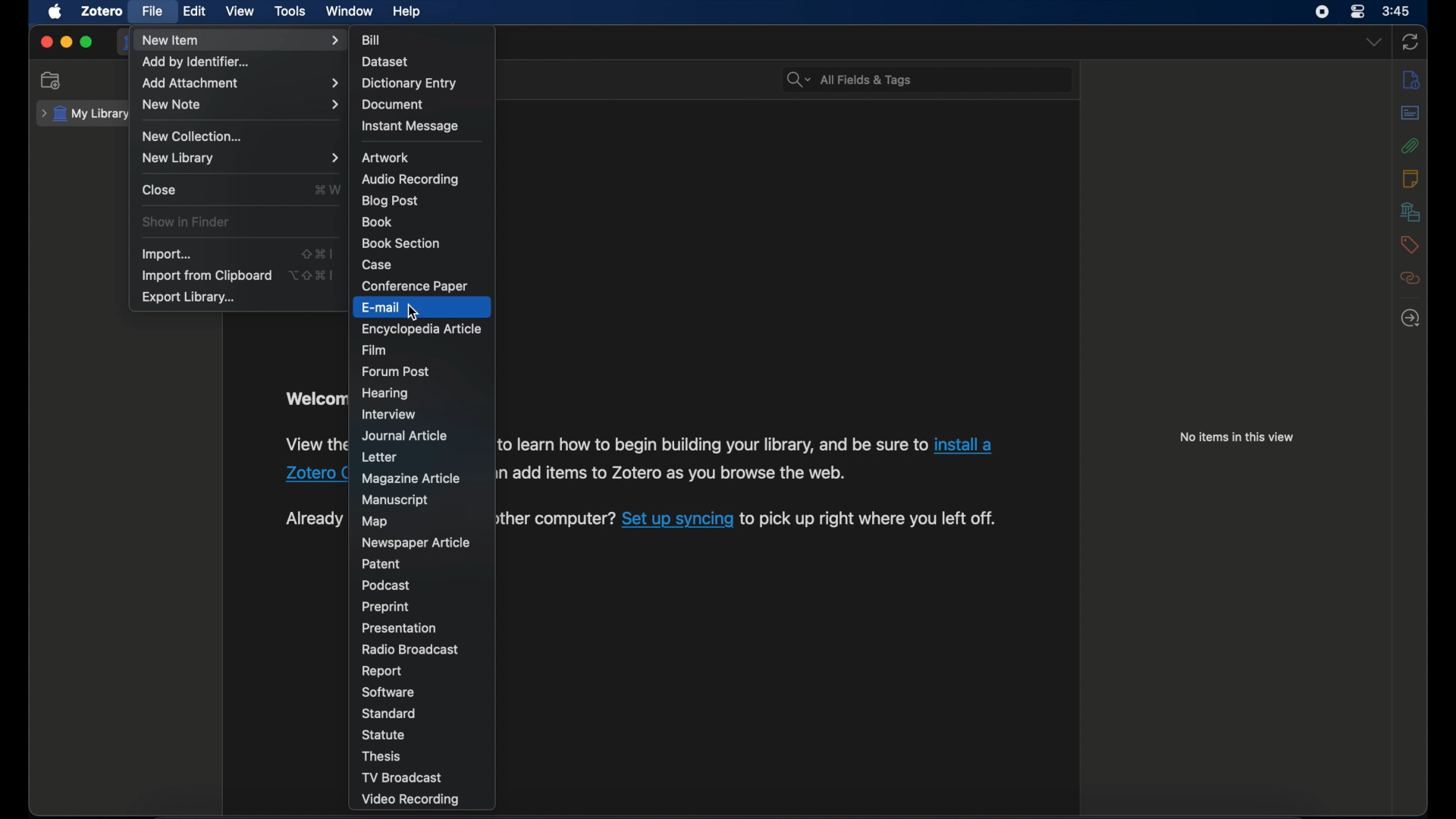 This screenshot has width=1456, height=819. I want to click on import from clipboard, so click(206, 276).